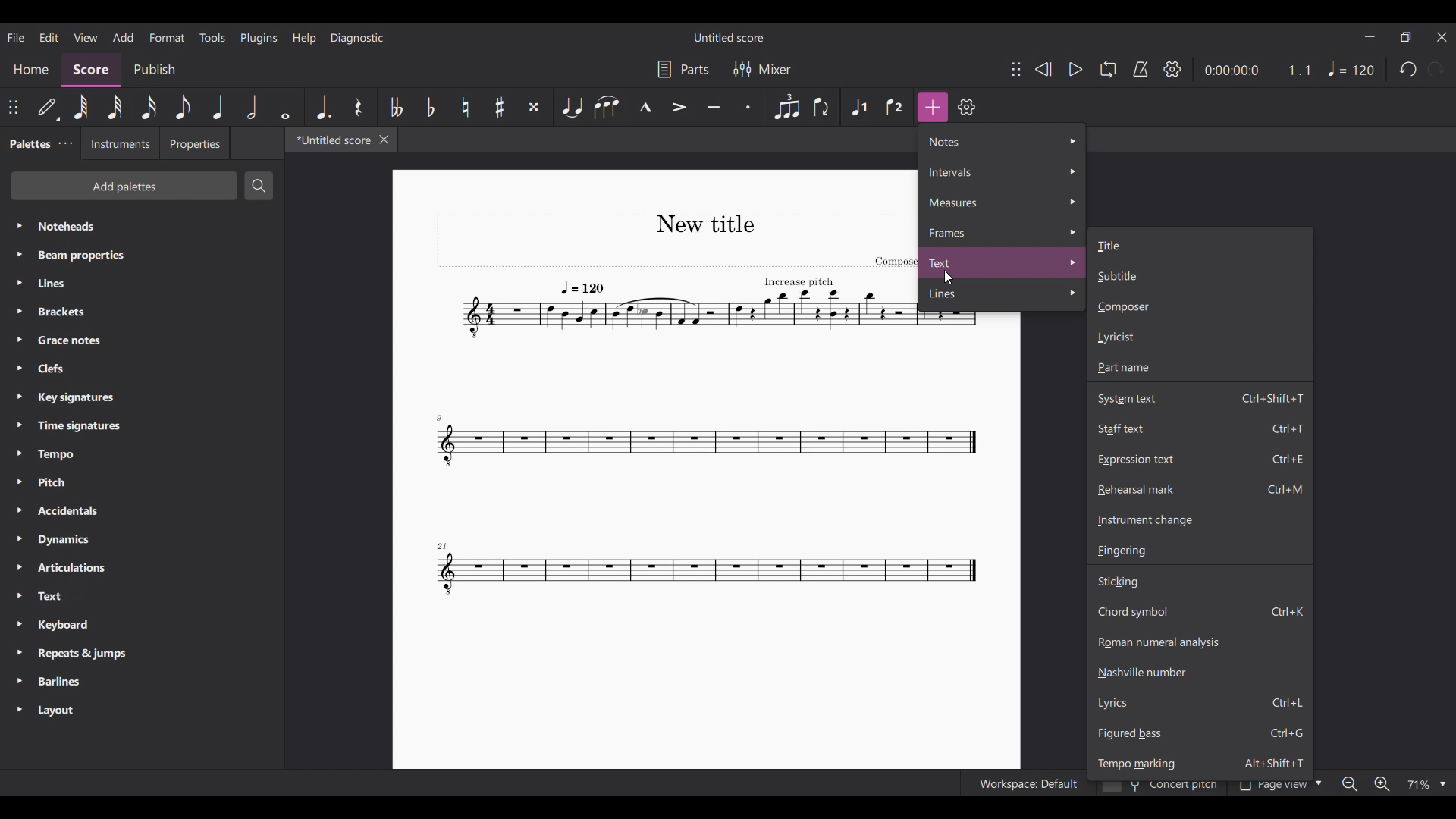  What do you see at coordinates (1200, 368) in the screenshot?
I see `Part name` at bounding box center [1200, 368].